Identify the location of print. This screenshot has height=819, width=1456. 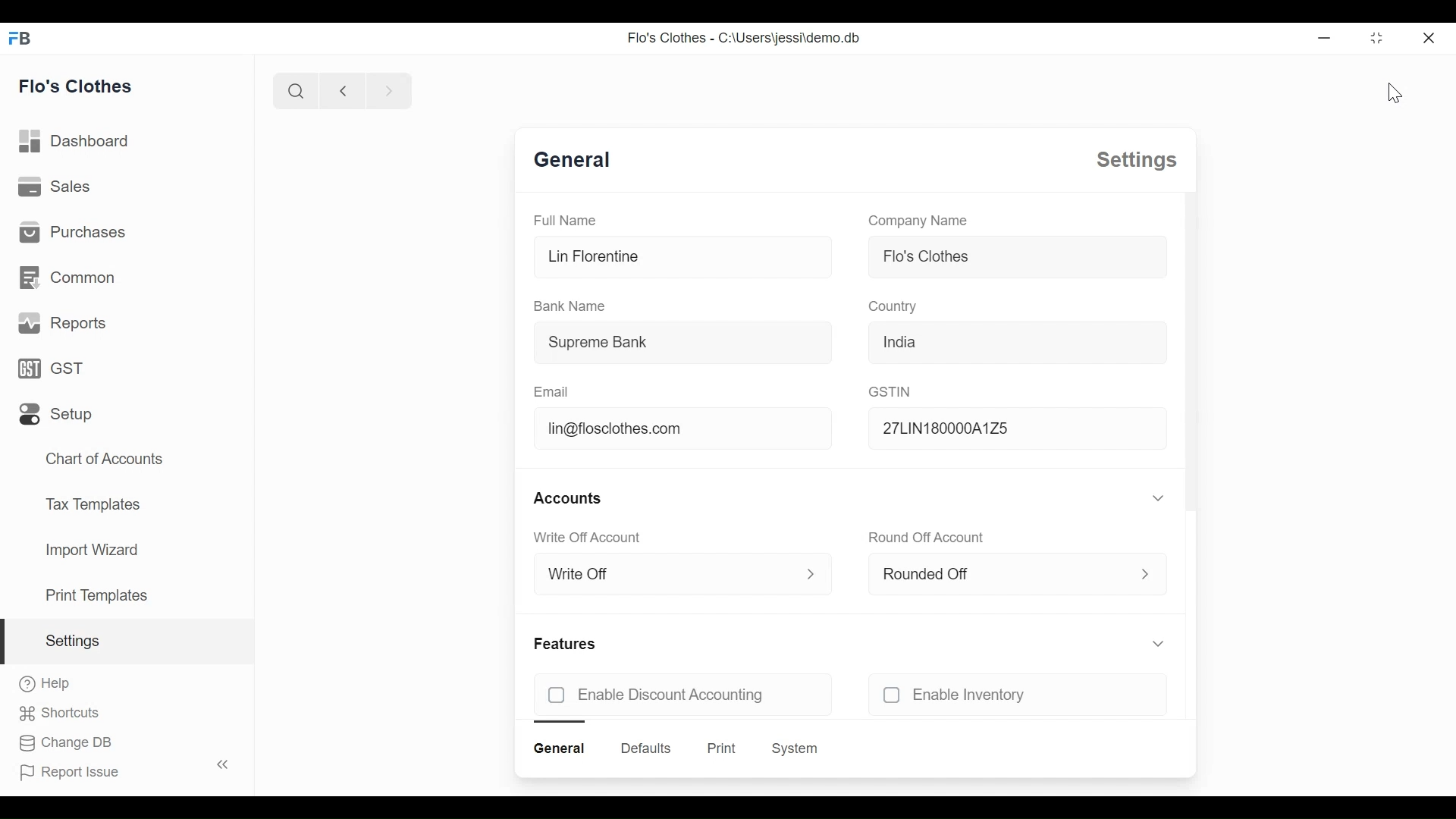
(722, 748).